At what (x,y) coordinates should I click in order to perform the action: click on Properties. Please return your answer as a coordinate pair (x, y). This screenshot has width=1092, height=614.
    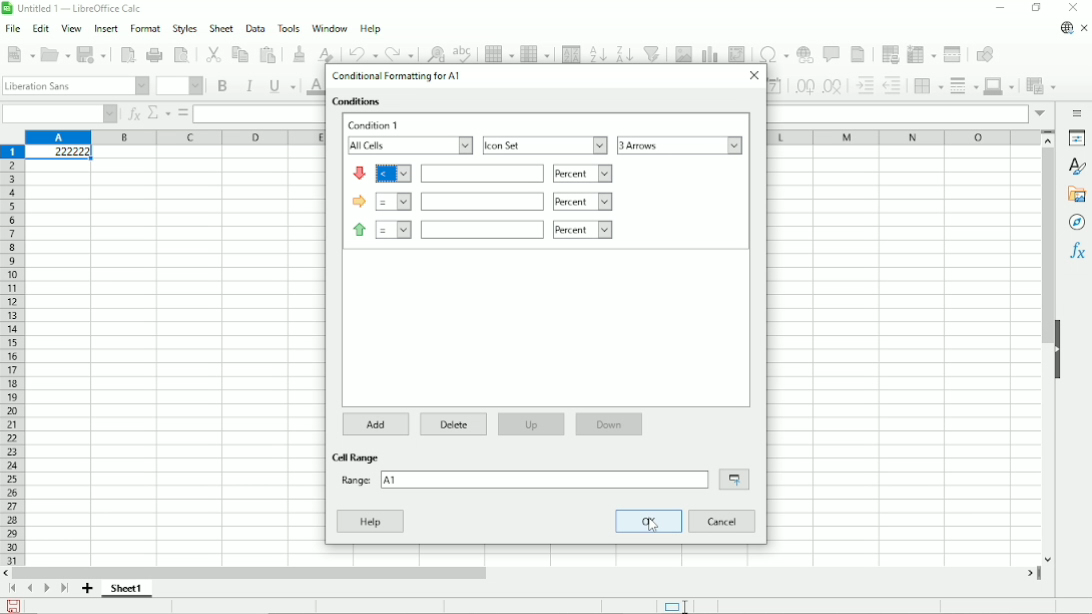
    Looking at the image, I should click on (1077, 139).